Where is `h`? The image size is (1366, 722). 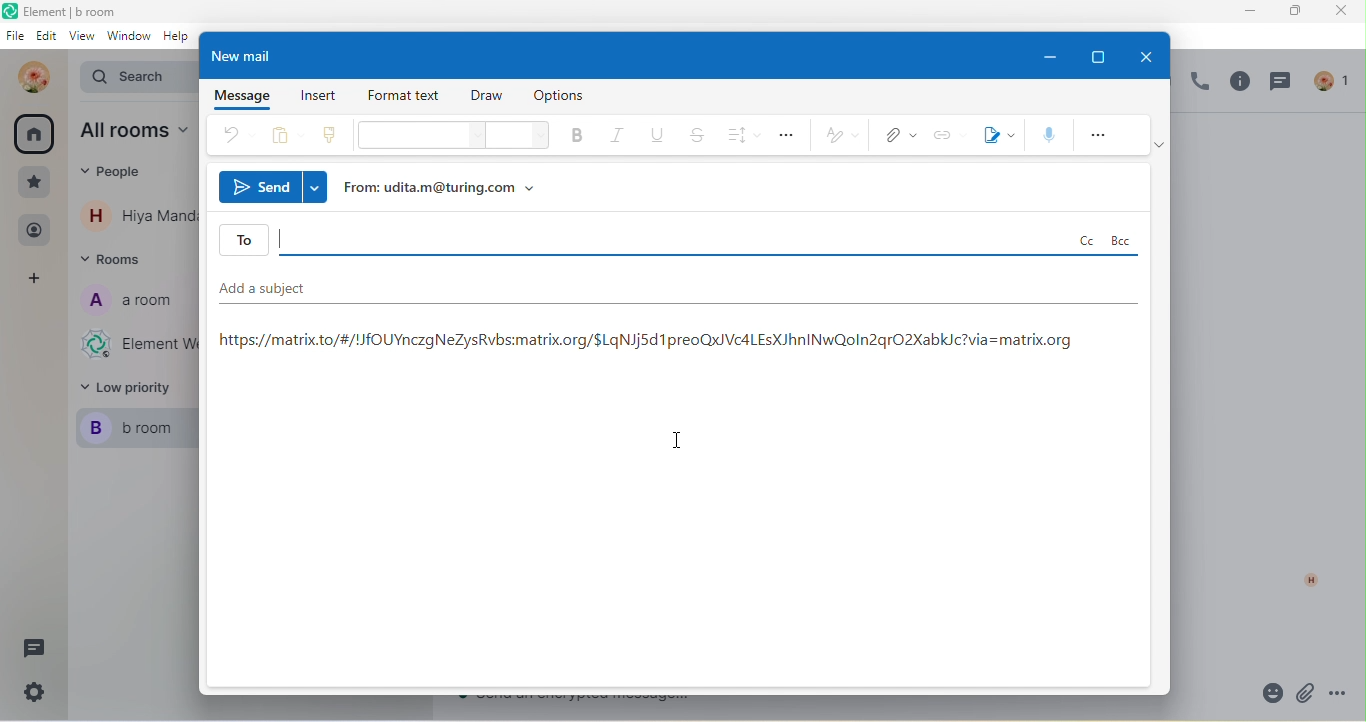 h is located at coordinates (1305, 579).